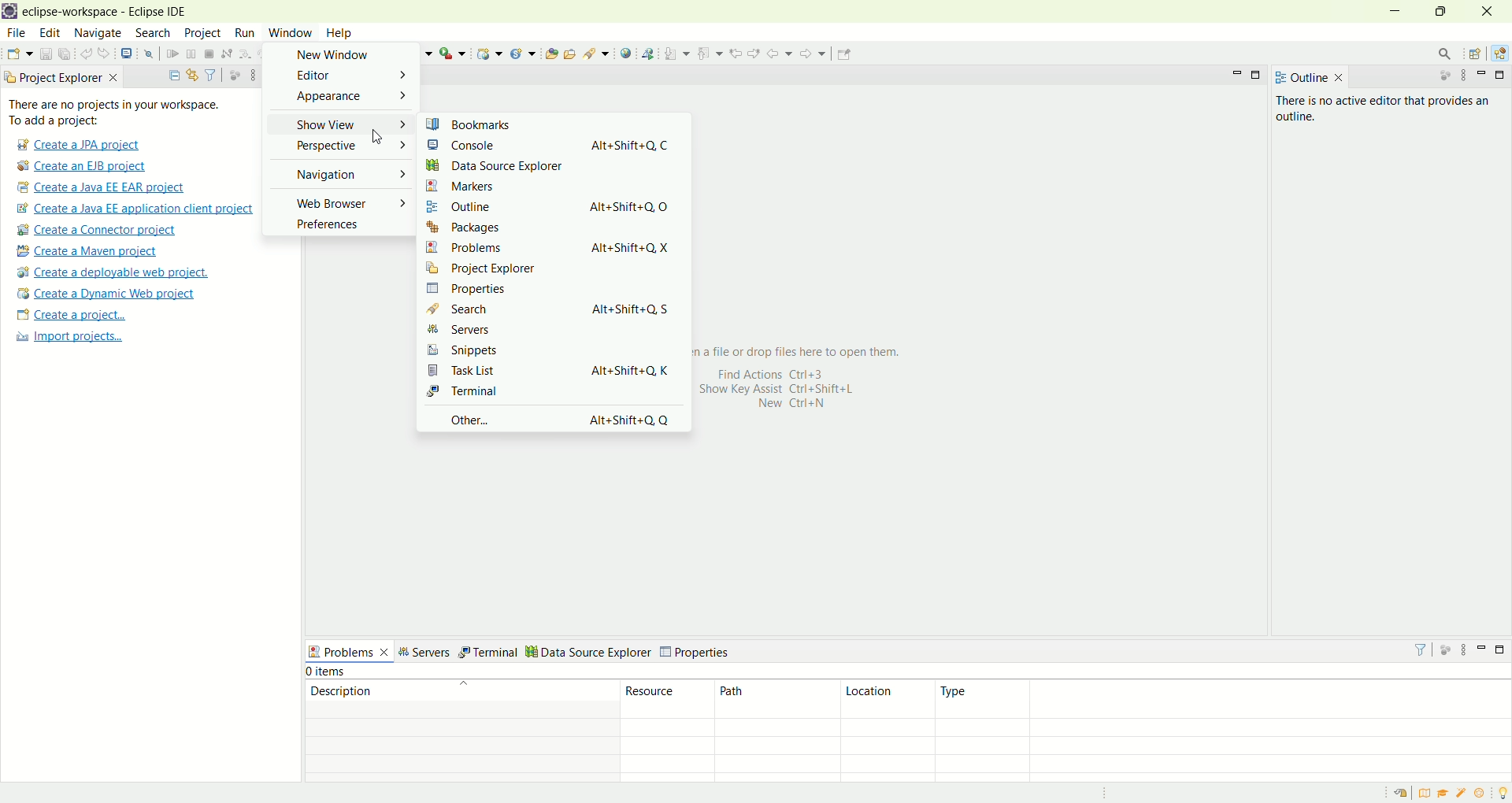 Image resolution: width=1512 pixels, height=803 pixels. Describe the element at coordinates (499, 248) in the screenshot. I see `problems` at that location.